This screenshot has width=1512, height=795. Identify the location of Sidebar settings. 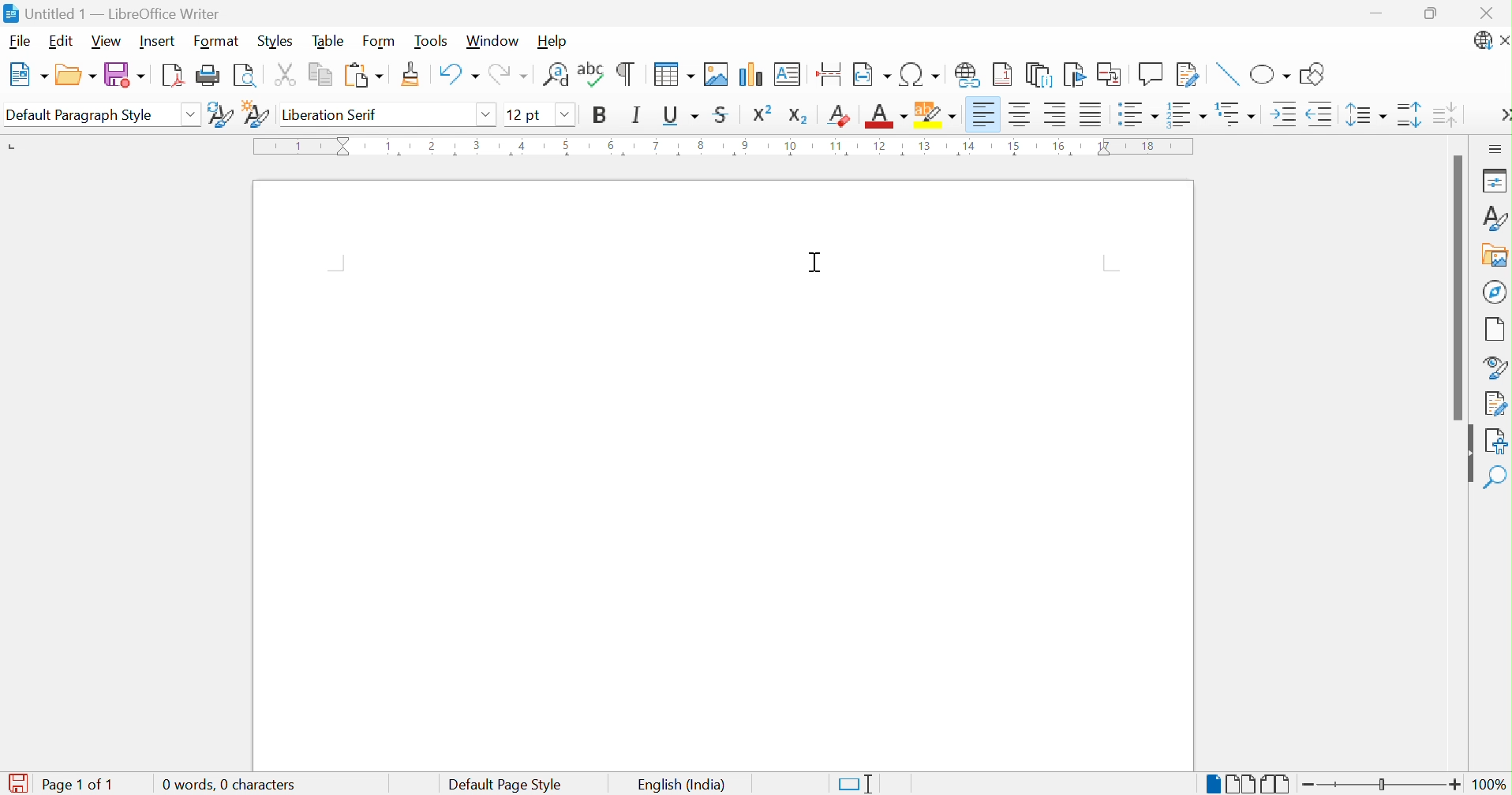
(1496, 149).